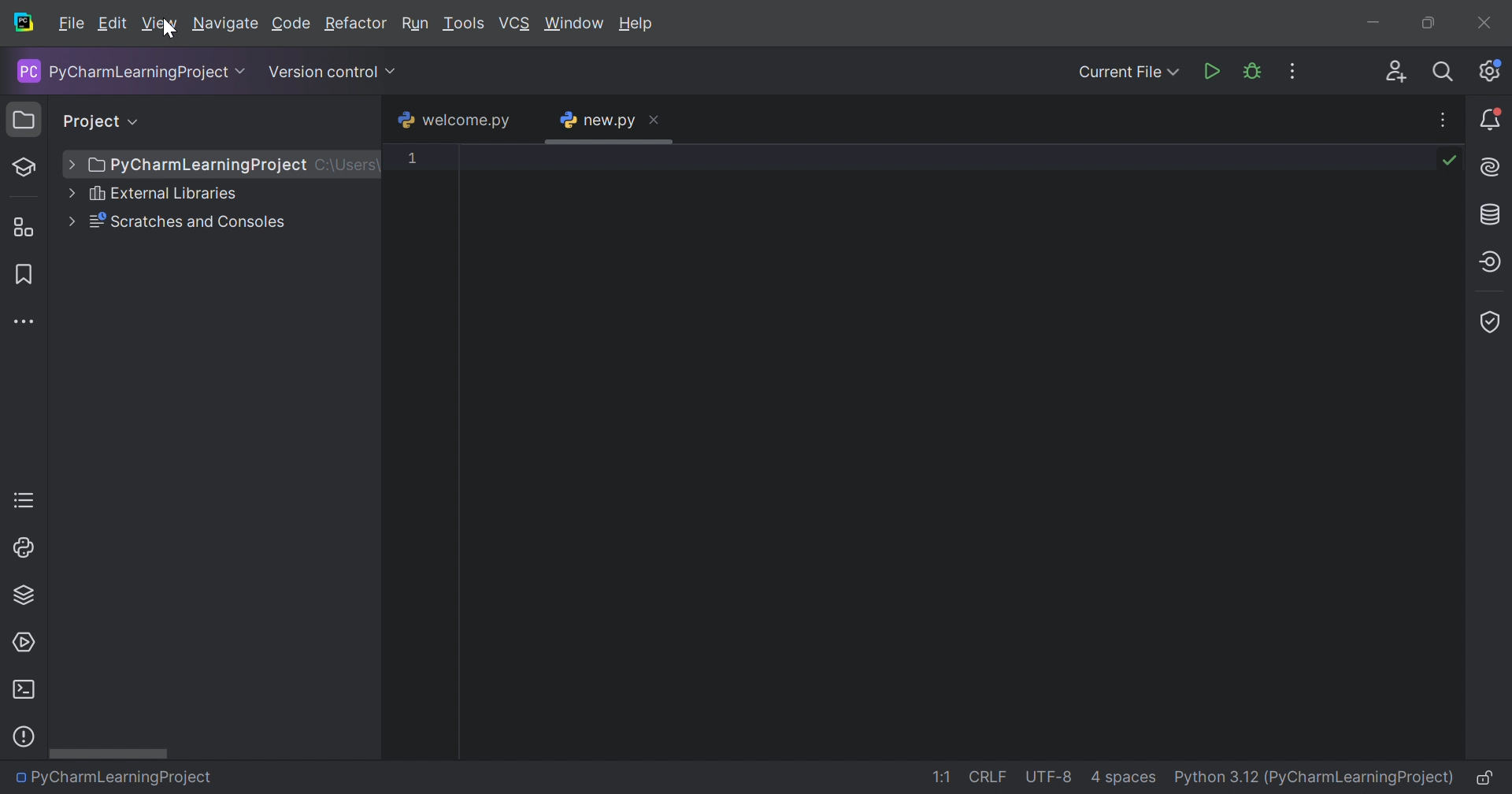  What do you see at coordinates (71, 164) in the screenshot?
I see `Drop down` at bounding box center [71, 164].